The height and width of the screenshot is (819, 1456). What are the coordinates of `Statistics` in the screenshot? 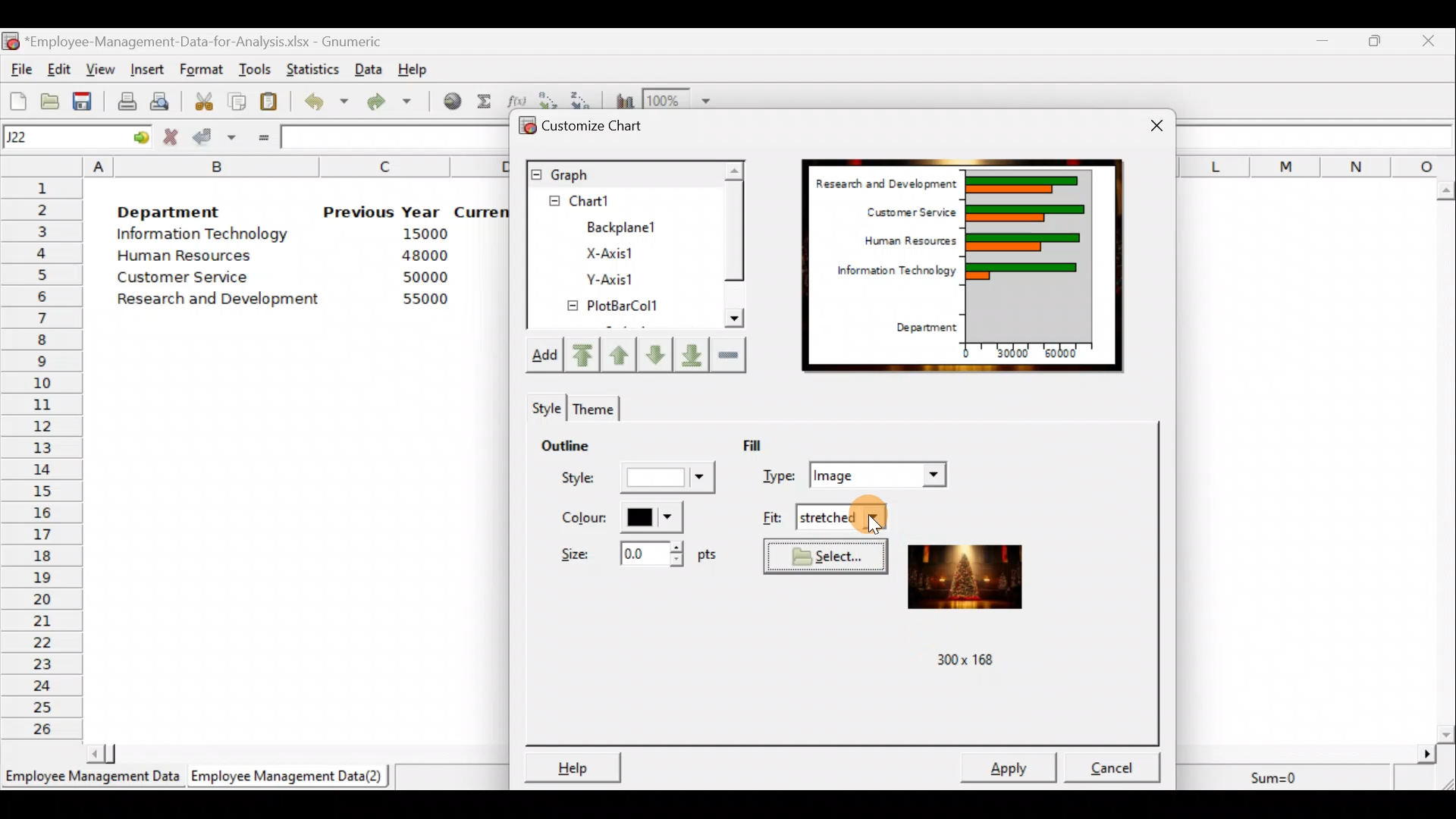 It's located at (314, 65).